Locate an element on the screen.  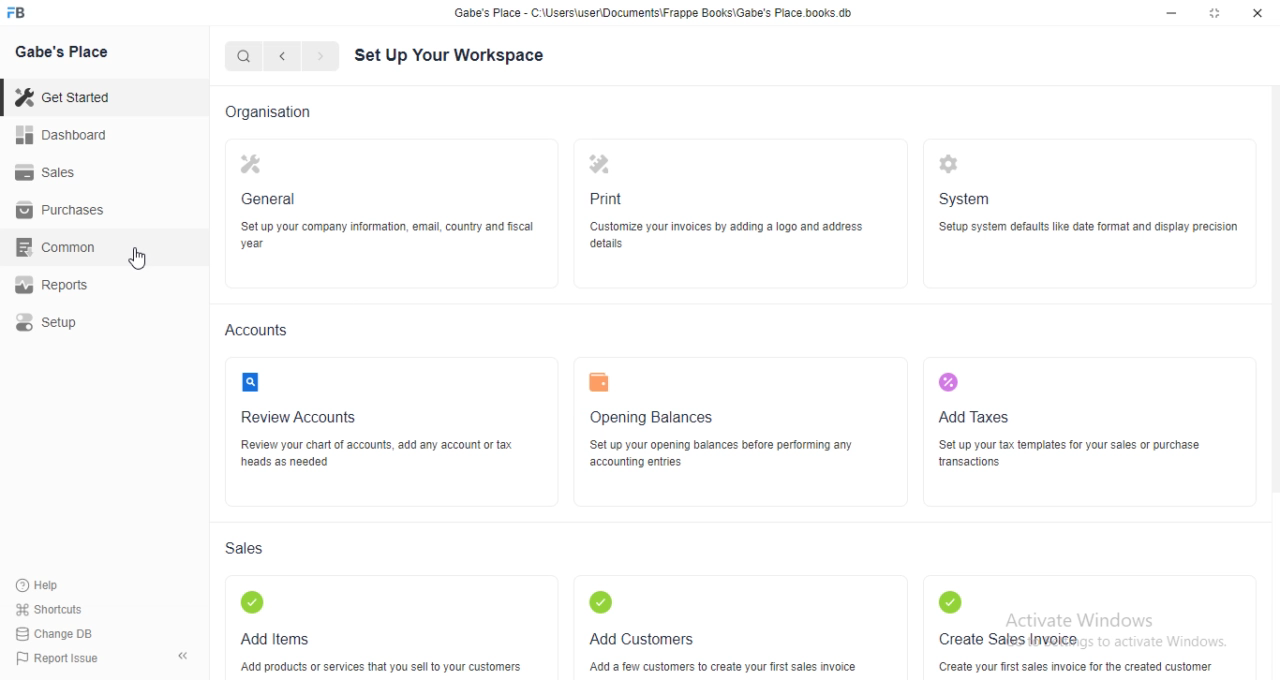
‘Setup system defaults like date format and display precision is located at coordinates (1090, 224).